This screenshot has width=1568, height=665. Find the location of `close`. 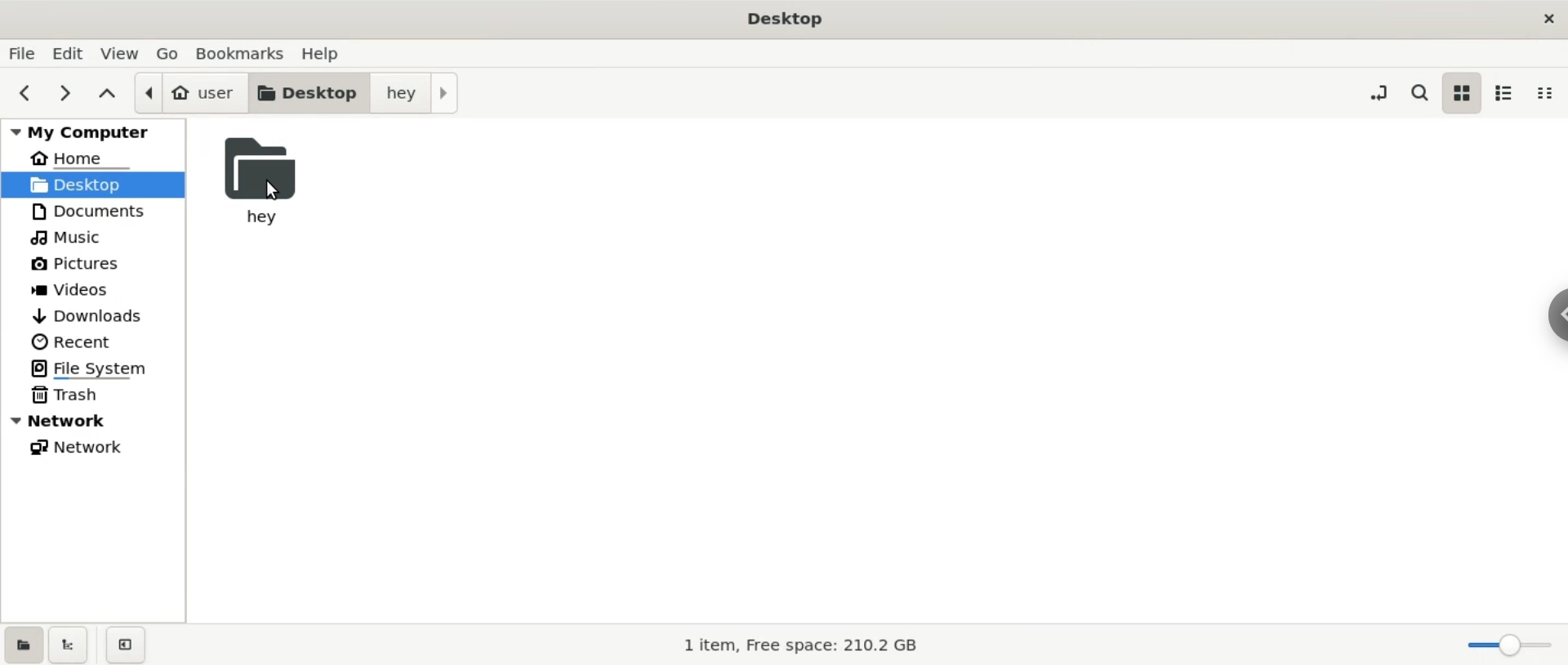

close is located at coordinates (1548, 16).